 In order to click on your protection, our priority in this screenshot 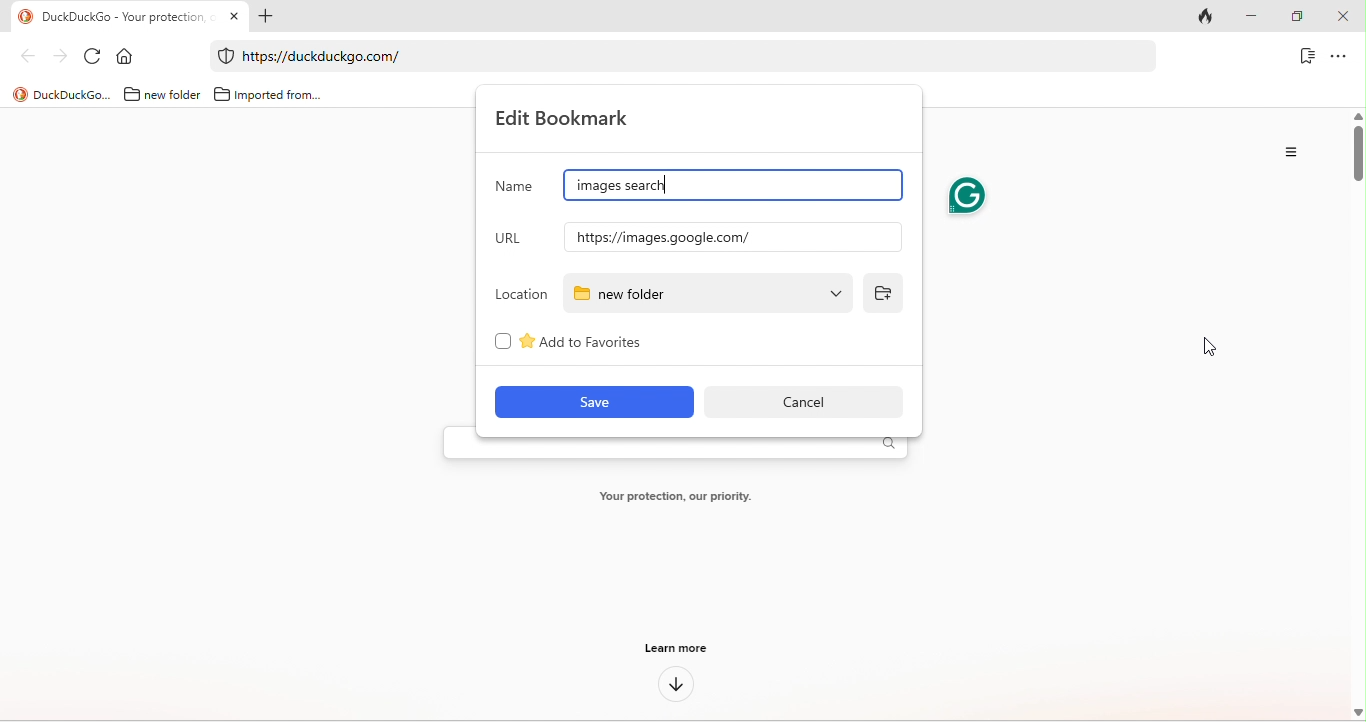, I will do `click(674, 498)`.